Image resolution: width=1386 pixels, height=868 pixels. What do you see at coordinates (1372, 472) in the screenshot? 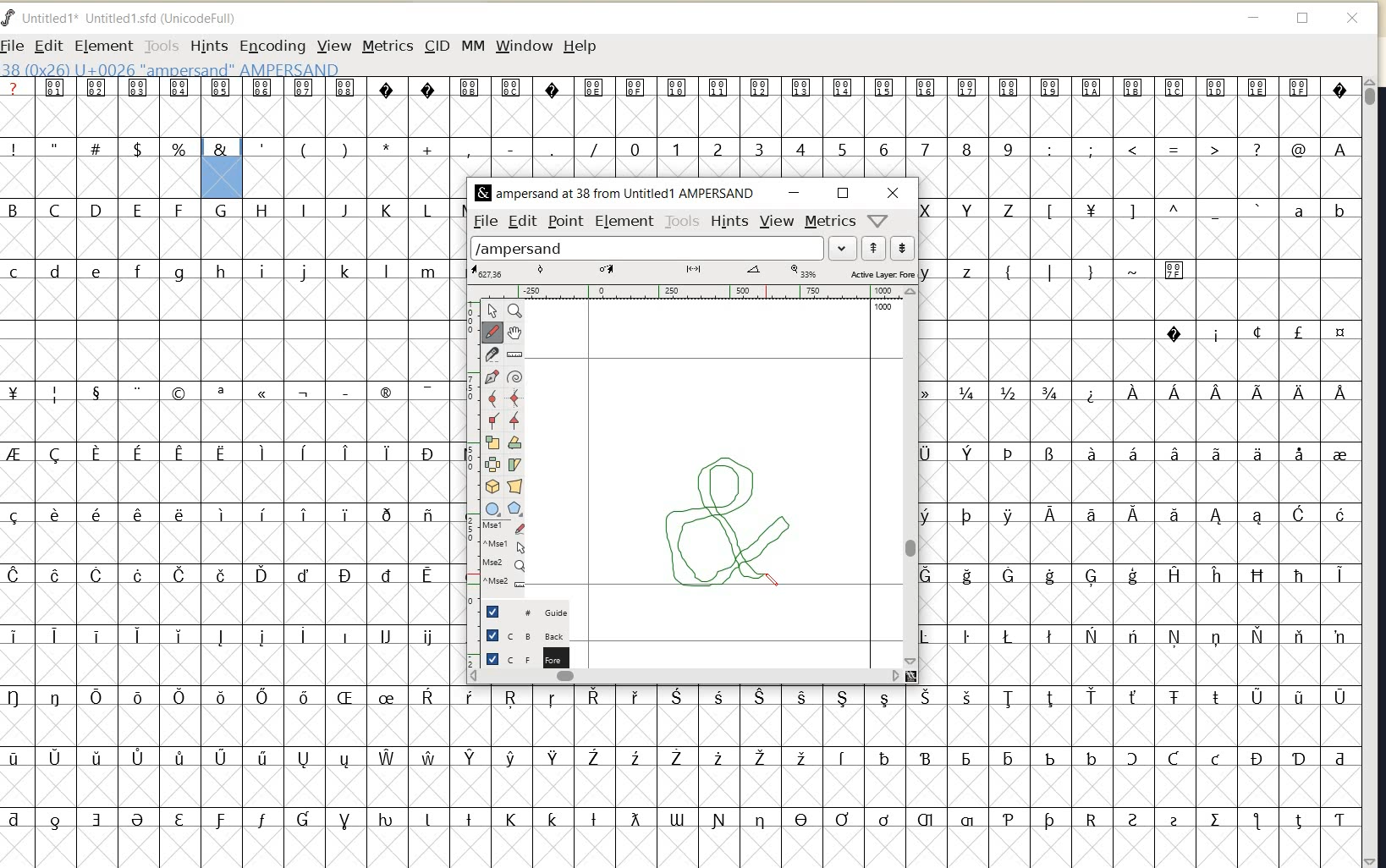
I see `SCROLLBAR` at bounding box center [1372, 472].